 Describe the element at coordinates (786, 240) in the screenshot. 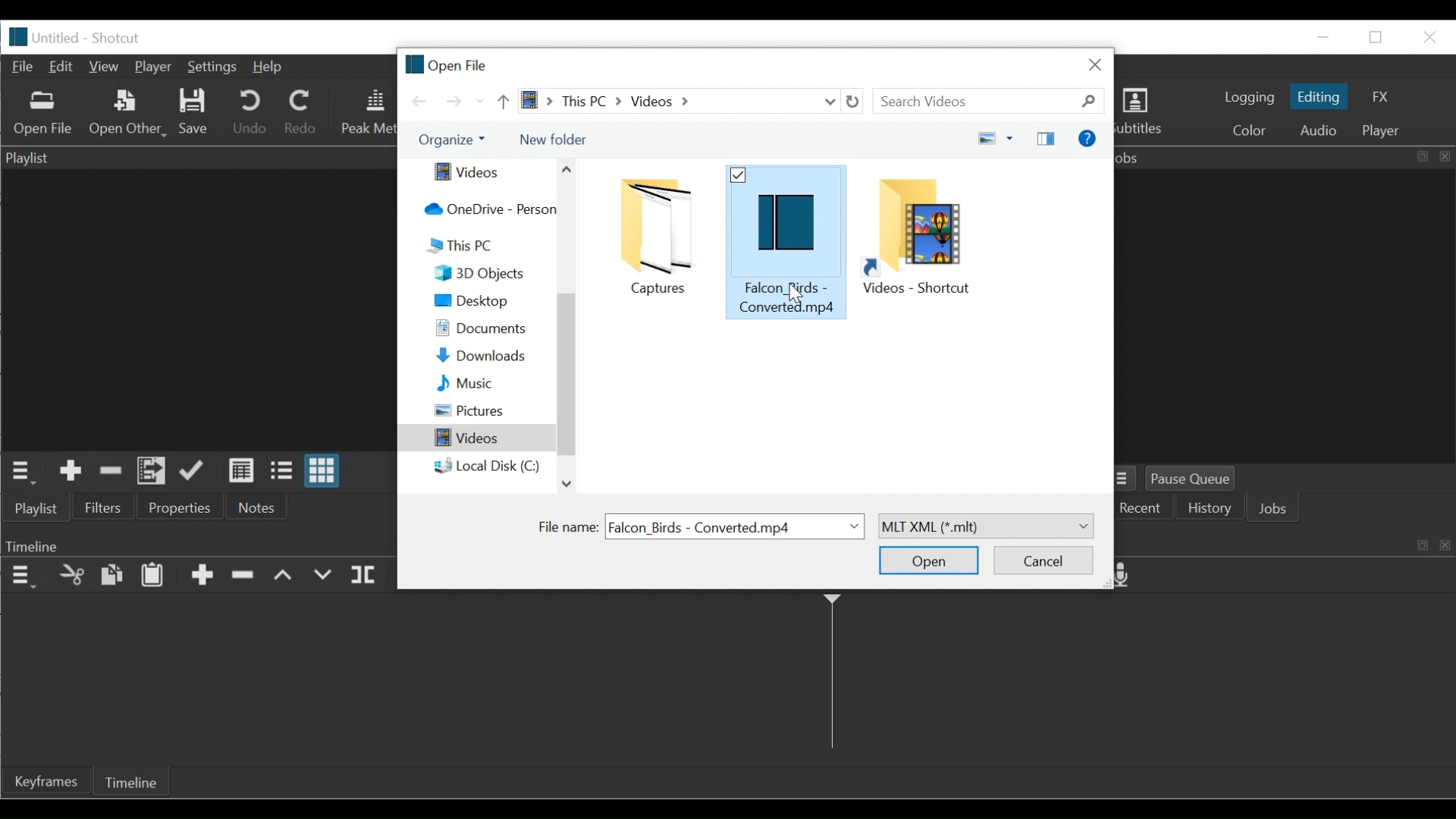

I see `Falcon _Birds - Converted.mp4` at that location.